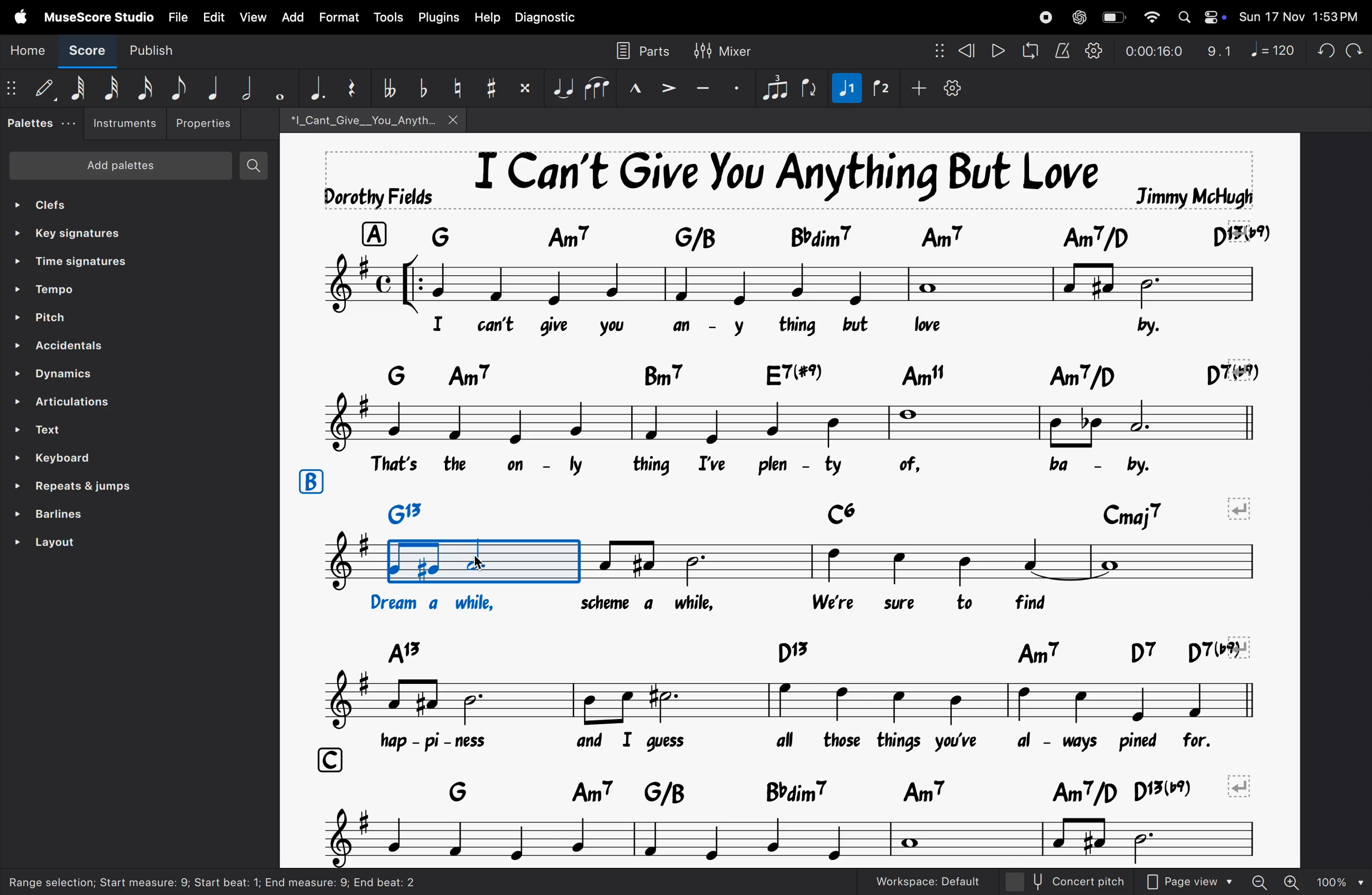 The image size is (1372, 895). I want to click on notes, so click(778, 287).